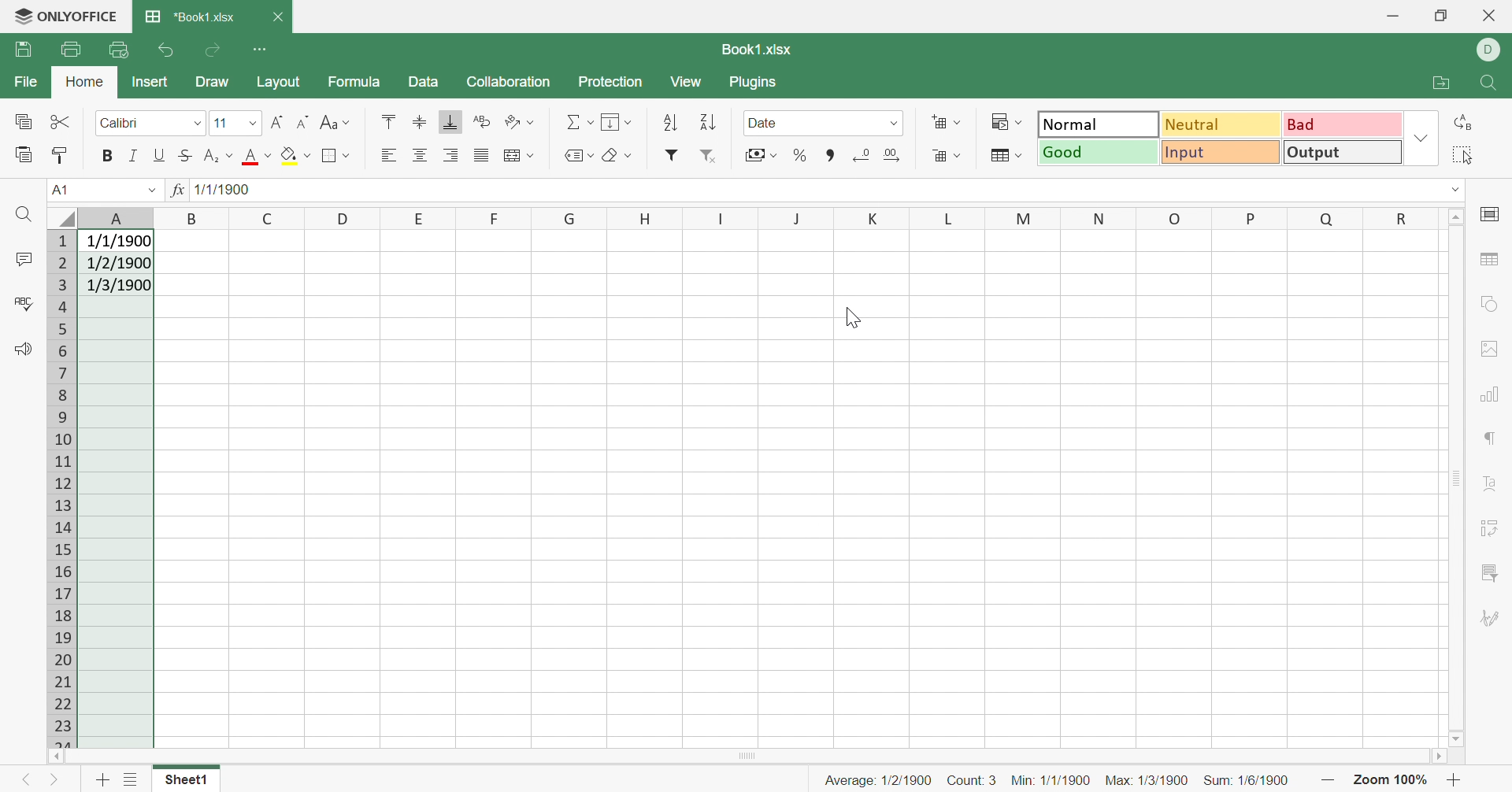 This screenshot has width=1512, height=792. Describe the element at coordinates (62, 490) in the screenshot. I see `Row numbers` at that location.